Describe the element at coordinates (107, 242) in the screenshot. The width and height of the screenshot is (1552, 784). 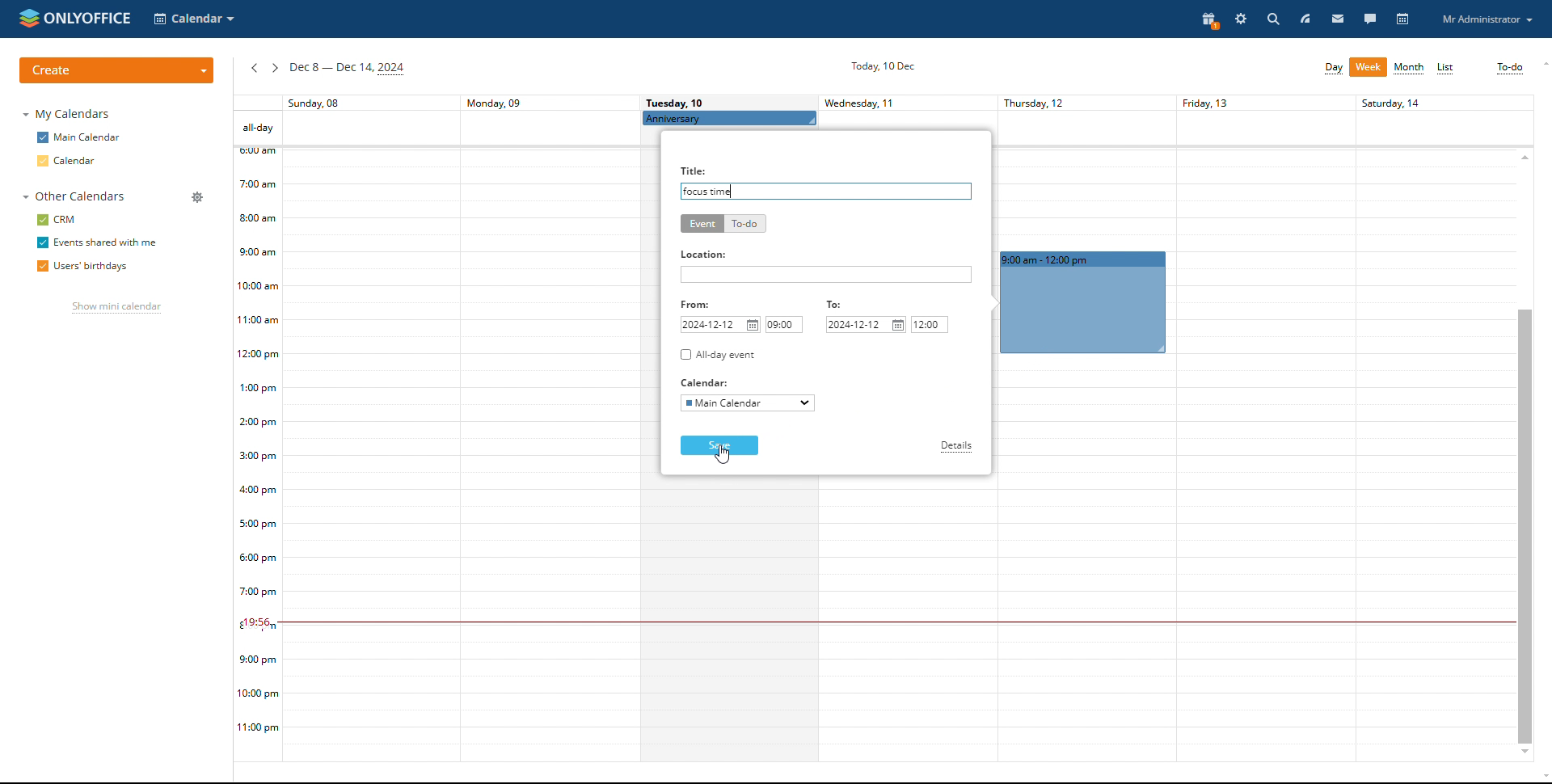
I see `events shared with me` at that location.